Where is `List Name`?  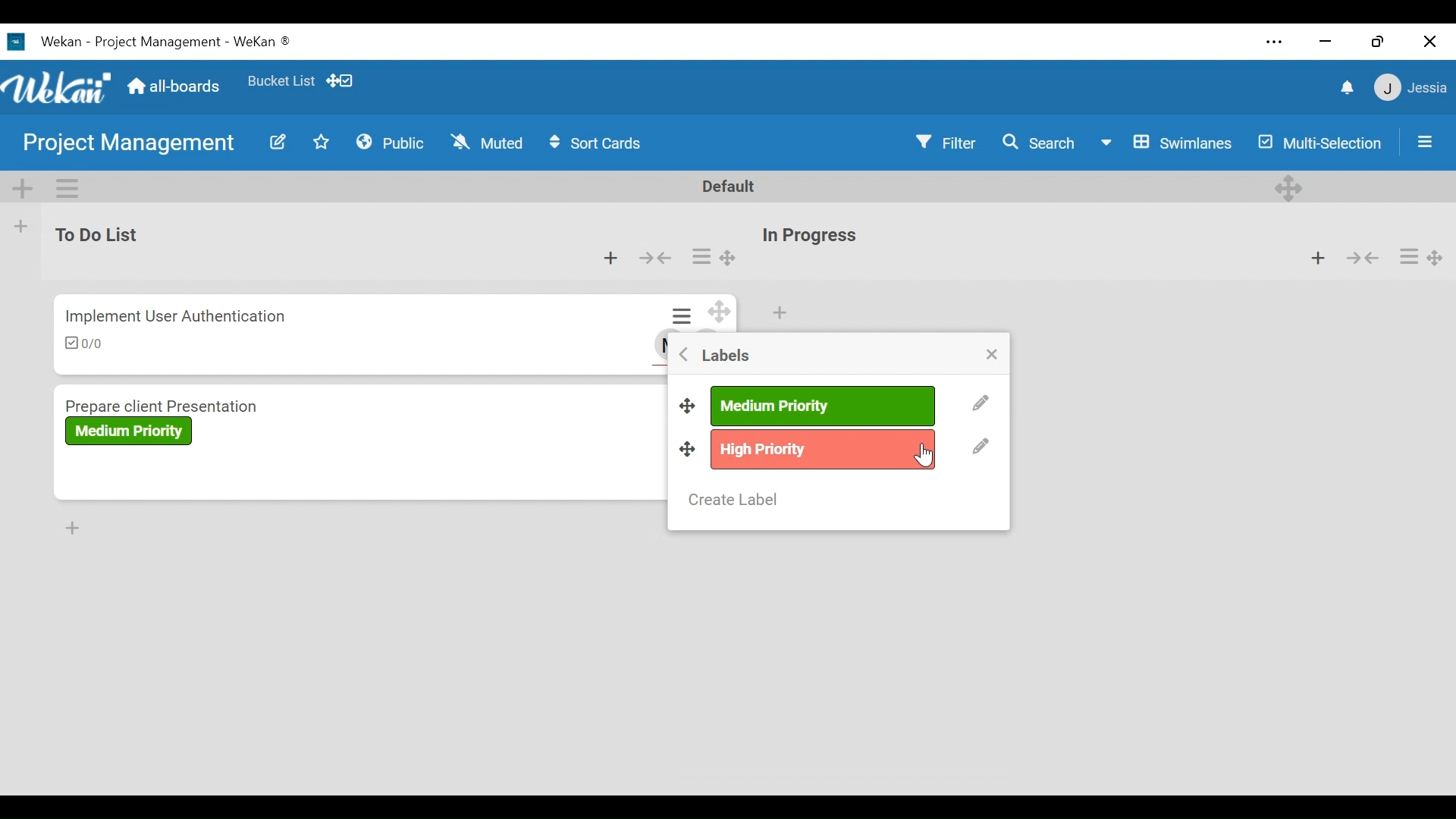 List Name is located at coordinates (94, 234).